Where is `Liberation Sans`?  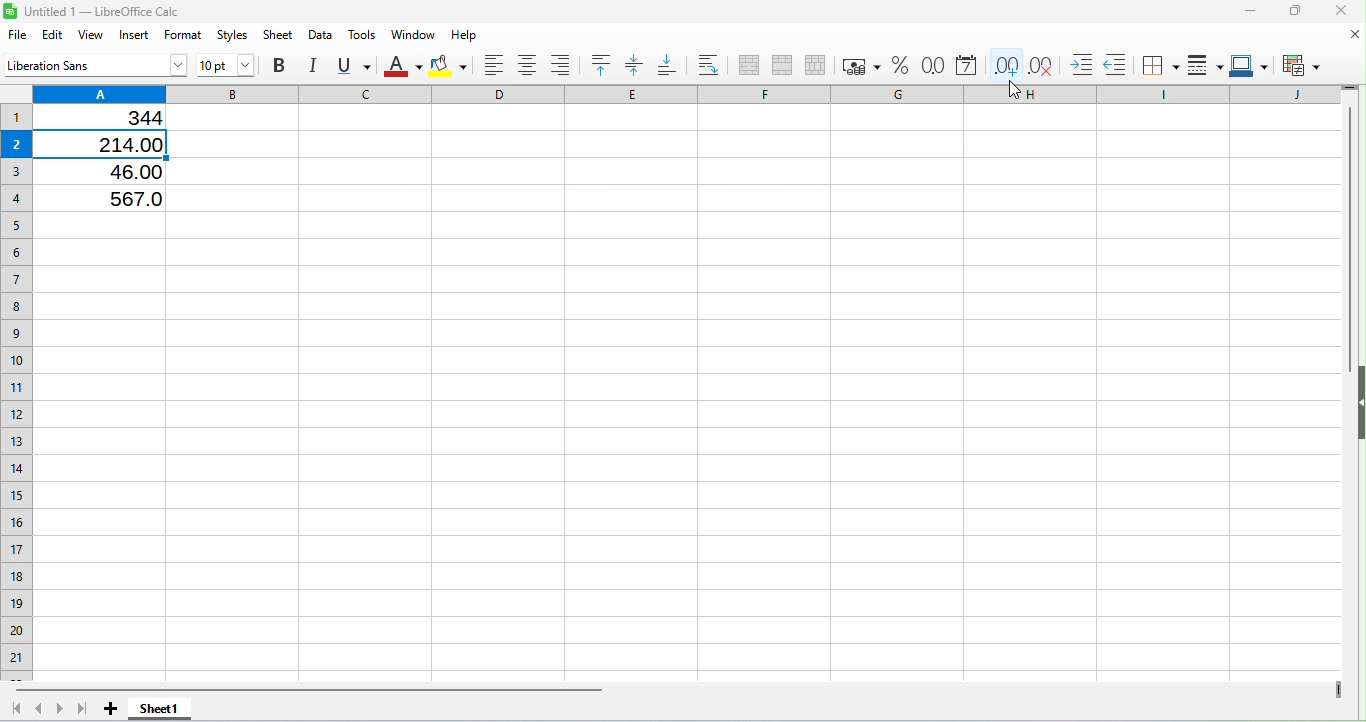
Liberation Sans is located at coordinates (97, 66).